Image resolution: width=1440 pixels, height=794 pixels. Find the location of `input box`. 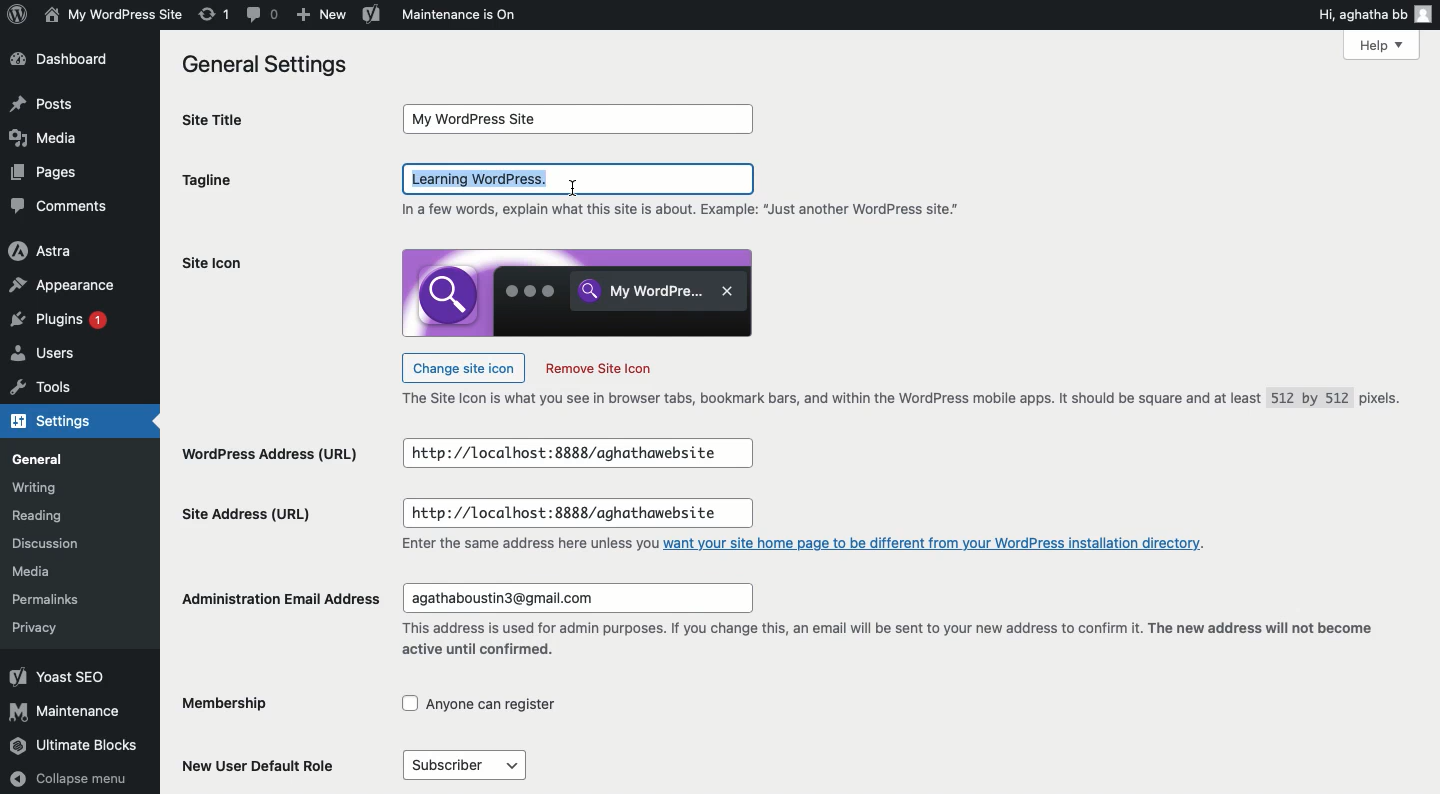

input box is located at coordinates (576, 598).